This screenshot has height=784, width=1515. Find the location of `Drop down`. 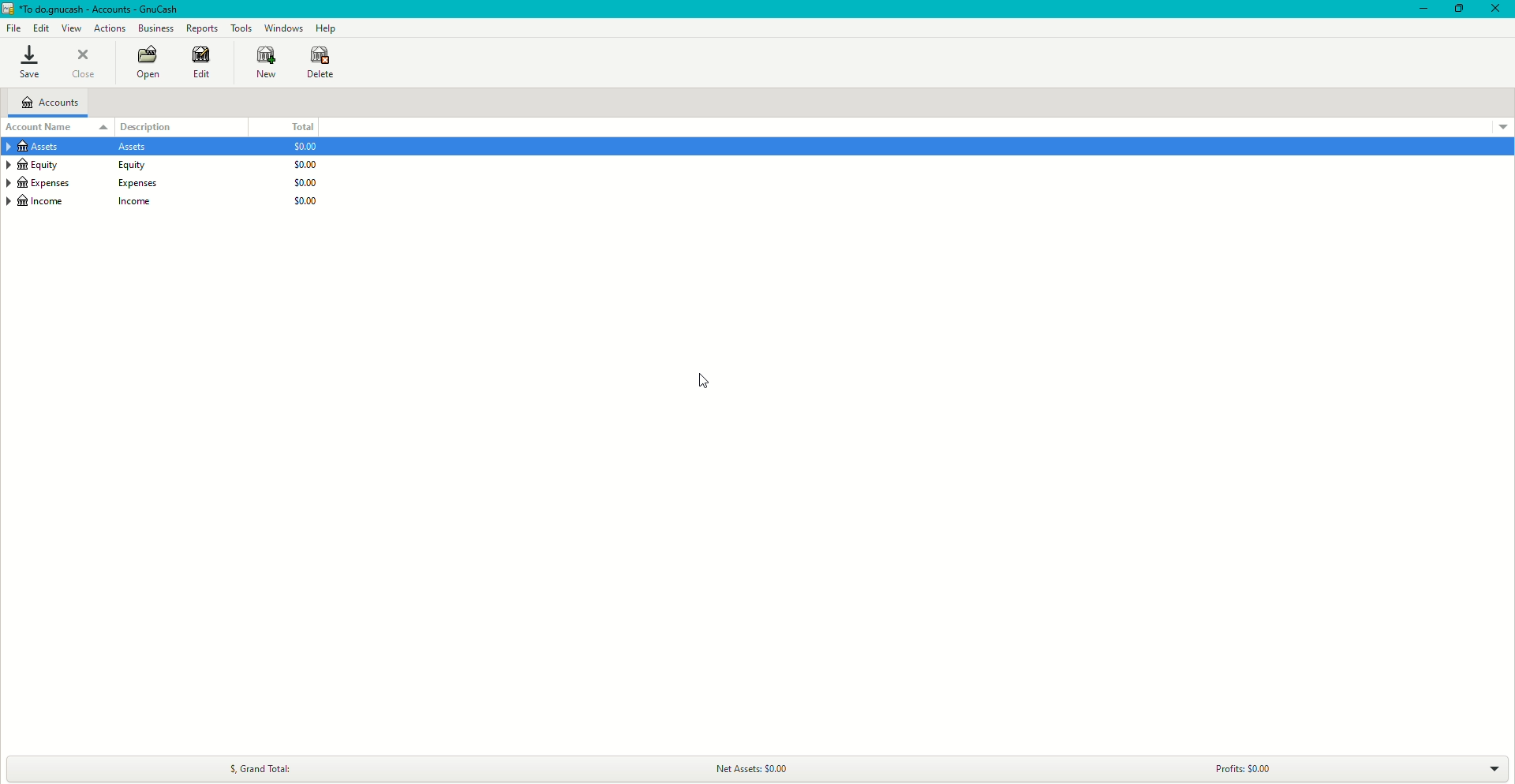

Drop down is located at coordinates (1502, 125).